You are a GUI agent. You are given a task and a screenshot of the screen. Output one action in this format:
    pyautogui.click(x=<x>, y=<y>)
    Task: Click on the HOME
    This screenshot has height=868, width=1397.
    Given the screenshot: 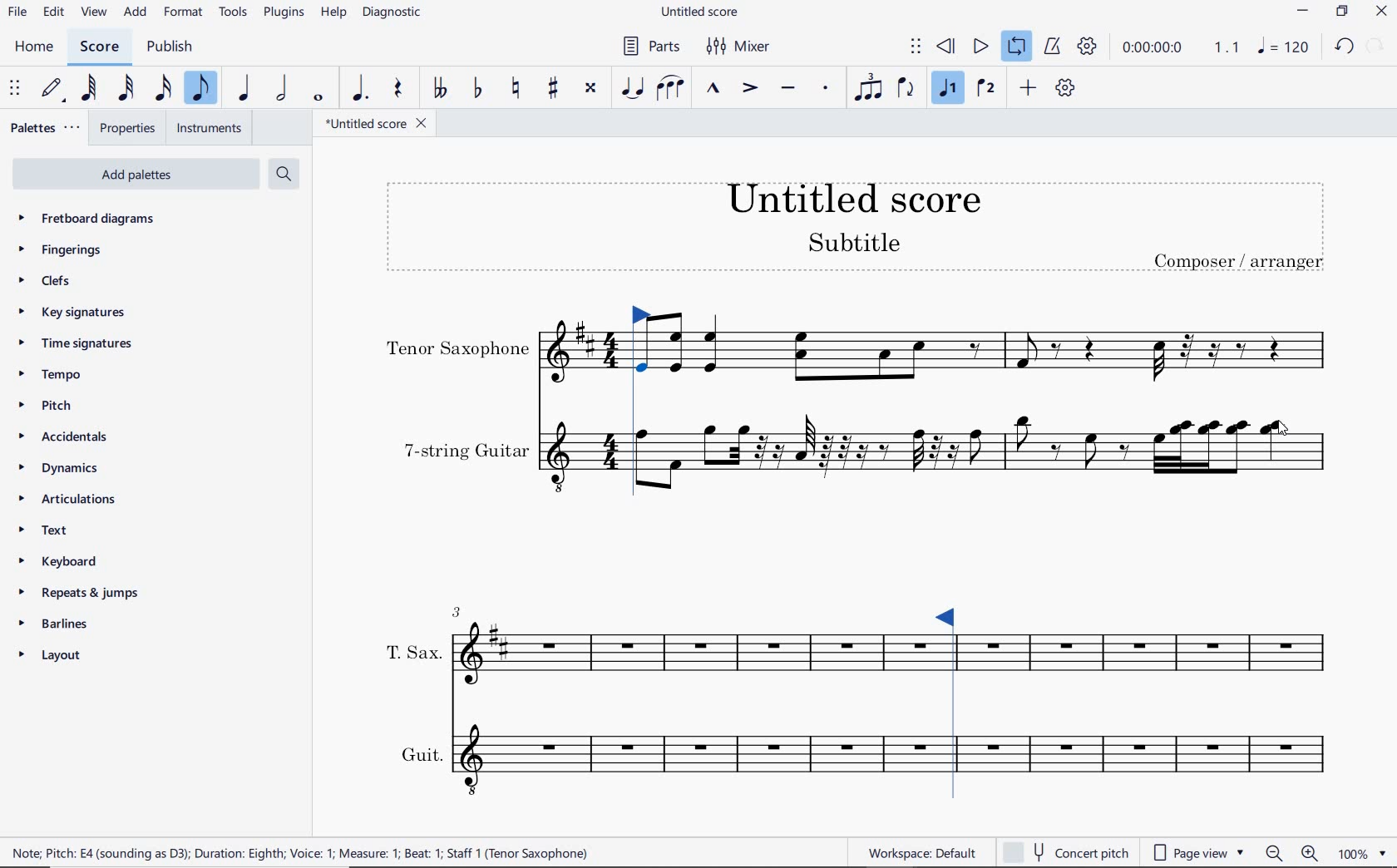 What is the action you would take?
    pyautogui.click(x=32, y=47)
    